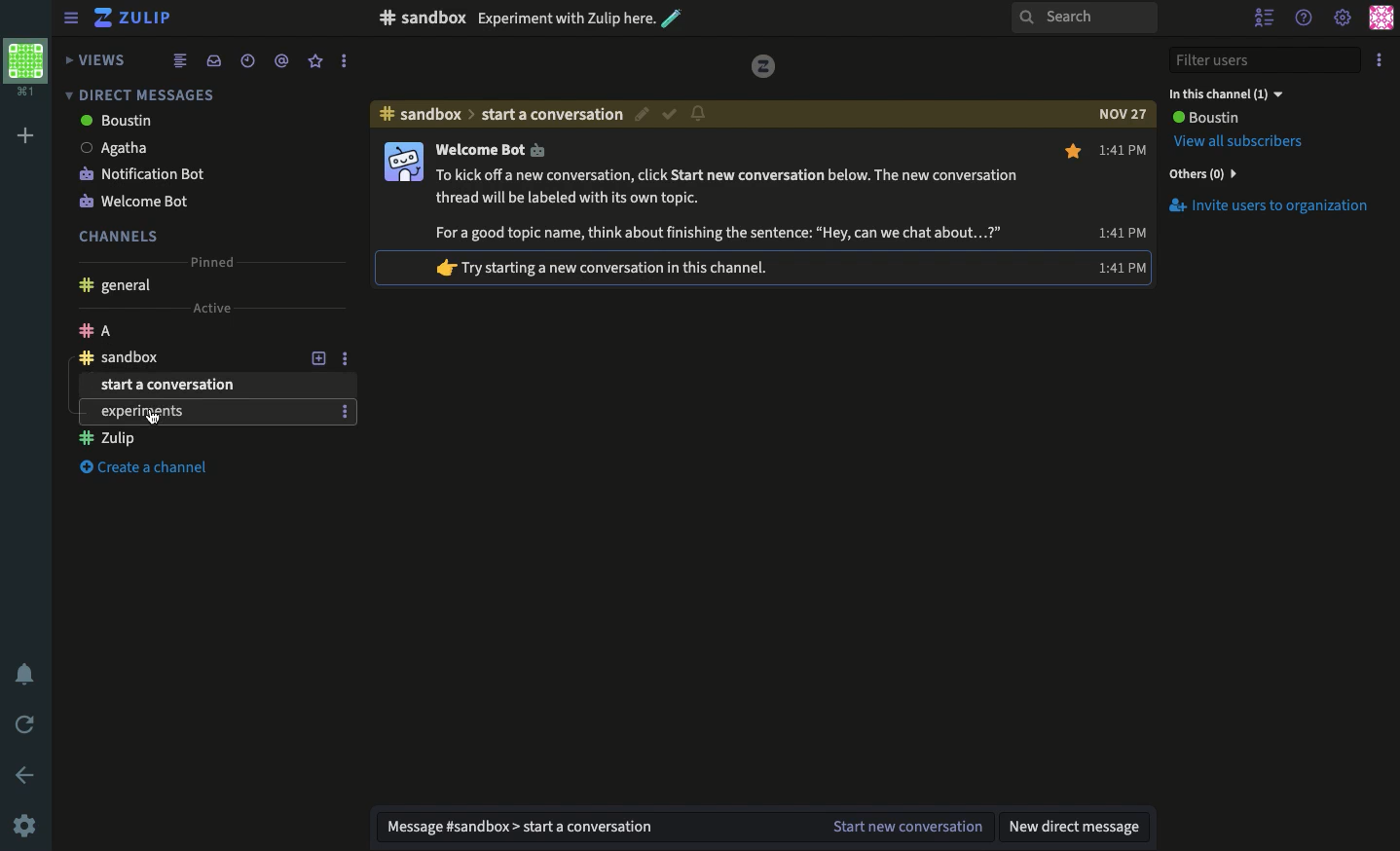 The height and width of the screenshot is (851, 1400). What do you see at coordinates (670, 115) in the screenshot?
I see `Resolved` at bounding box center [670, 115].